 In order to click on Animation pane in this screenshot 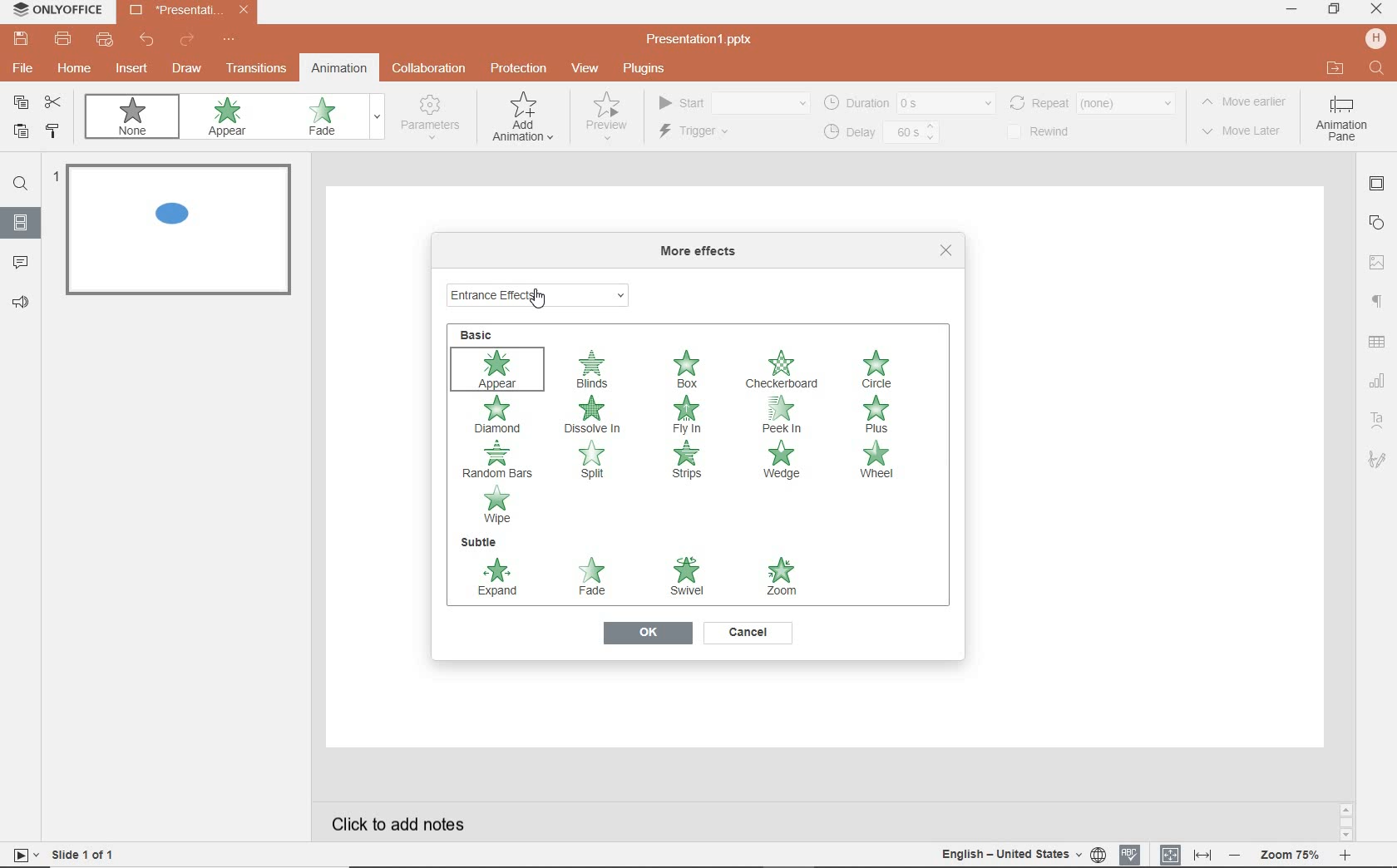, I will do `click(1341, 121)`.